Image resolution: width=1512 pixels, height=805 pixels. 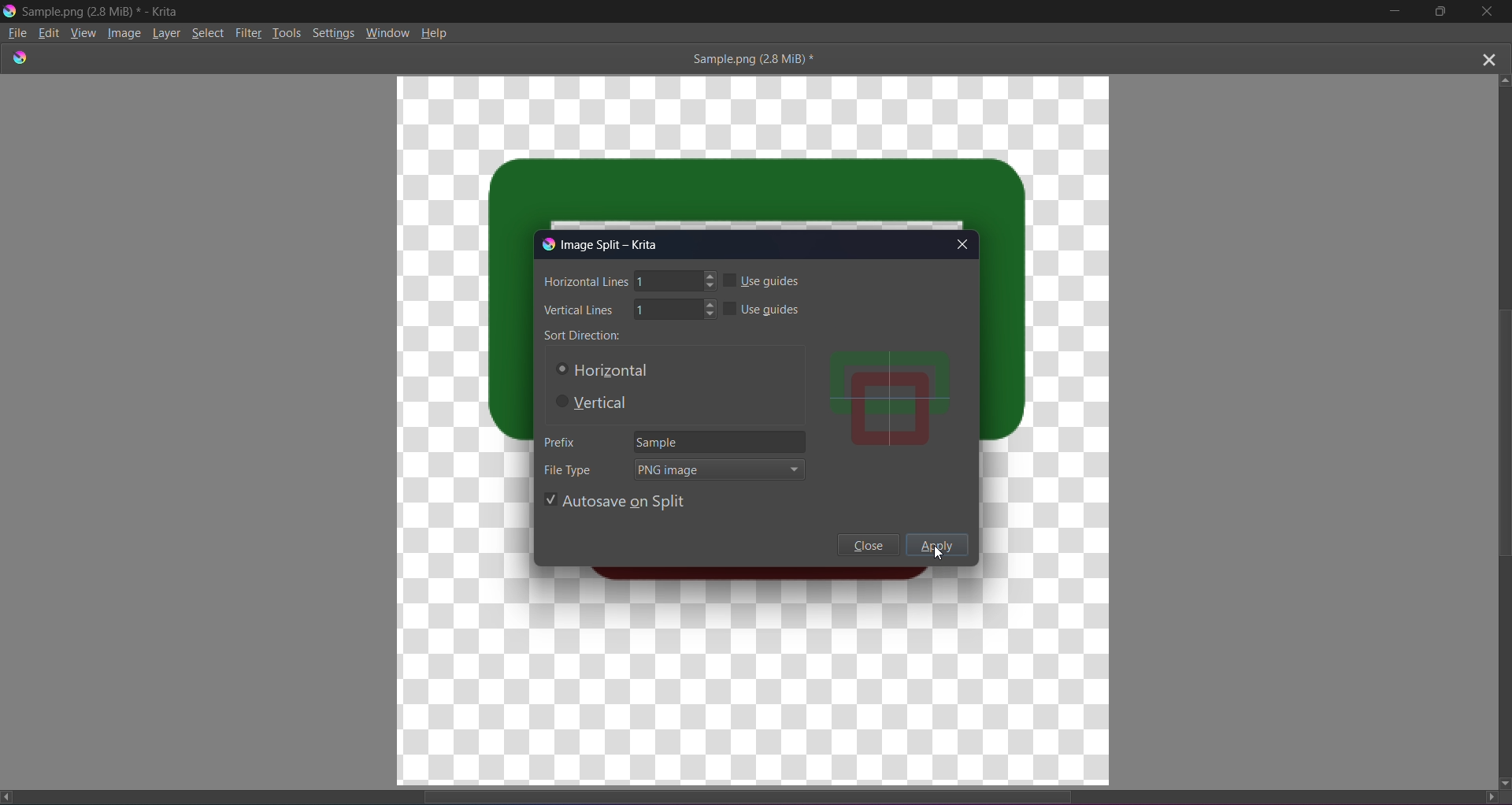 What do you see at coordinates (102, 11) in the screenshot?
I see `Sample.png (2.8MB)* - Krita` at bounding box center [102, 11].